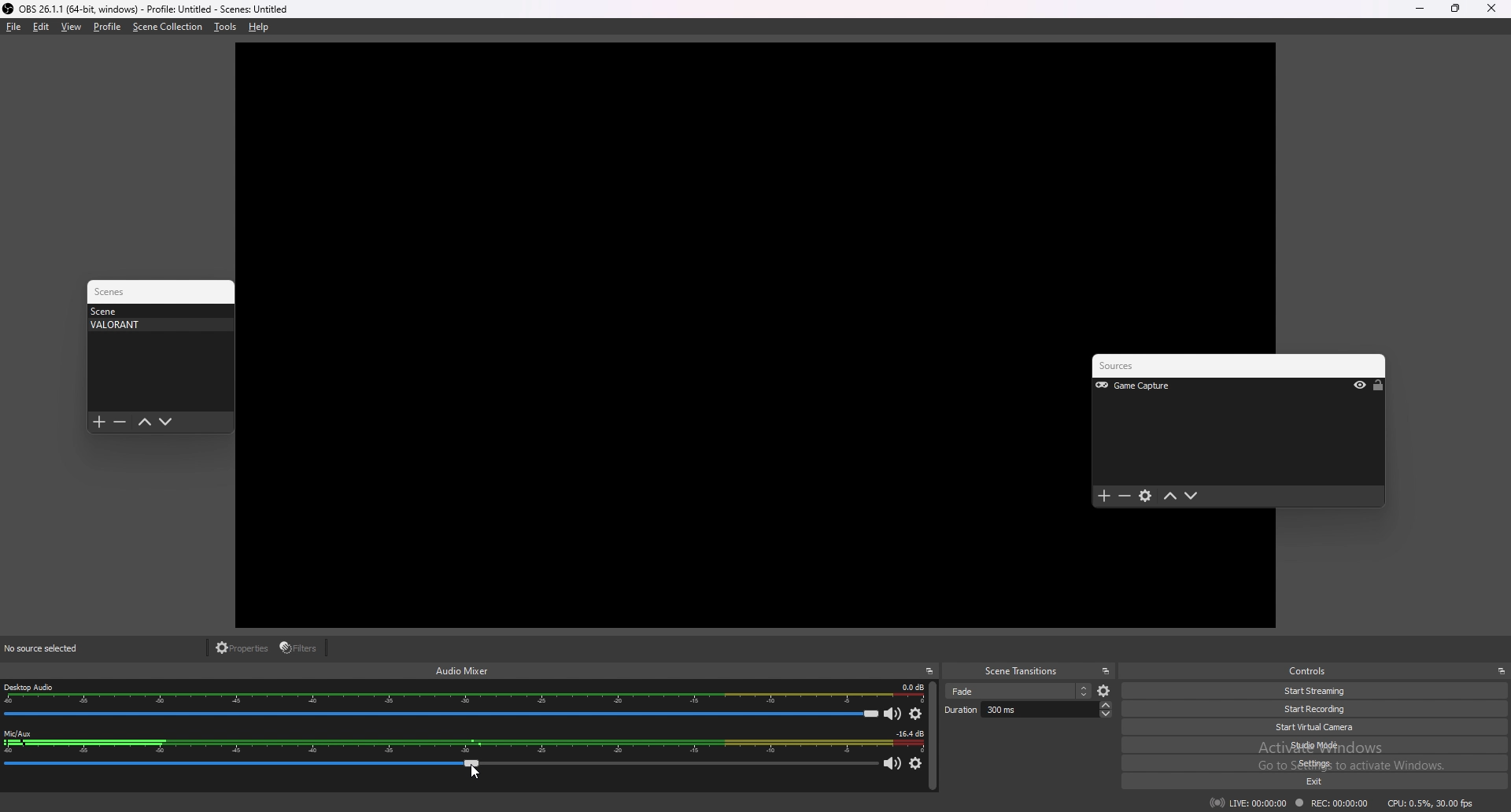 This screenshot has width=1511, height=812. I want to click on add, so click(1104, 496).